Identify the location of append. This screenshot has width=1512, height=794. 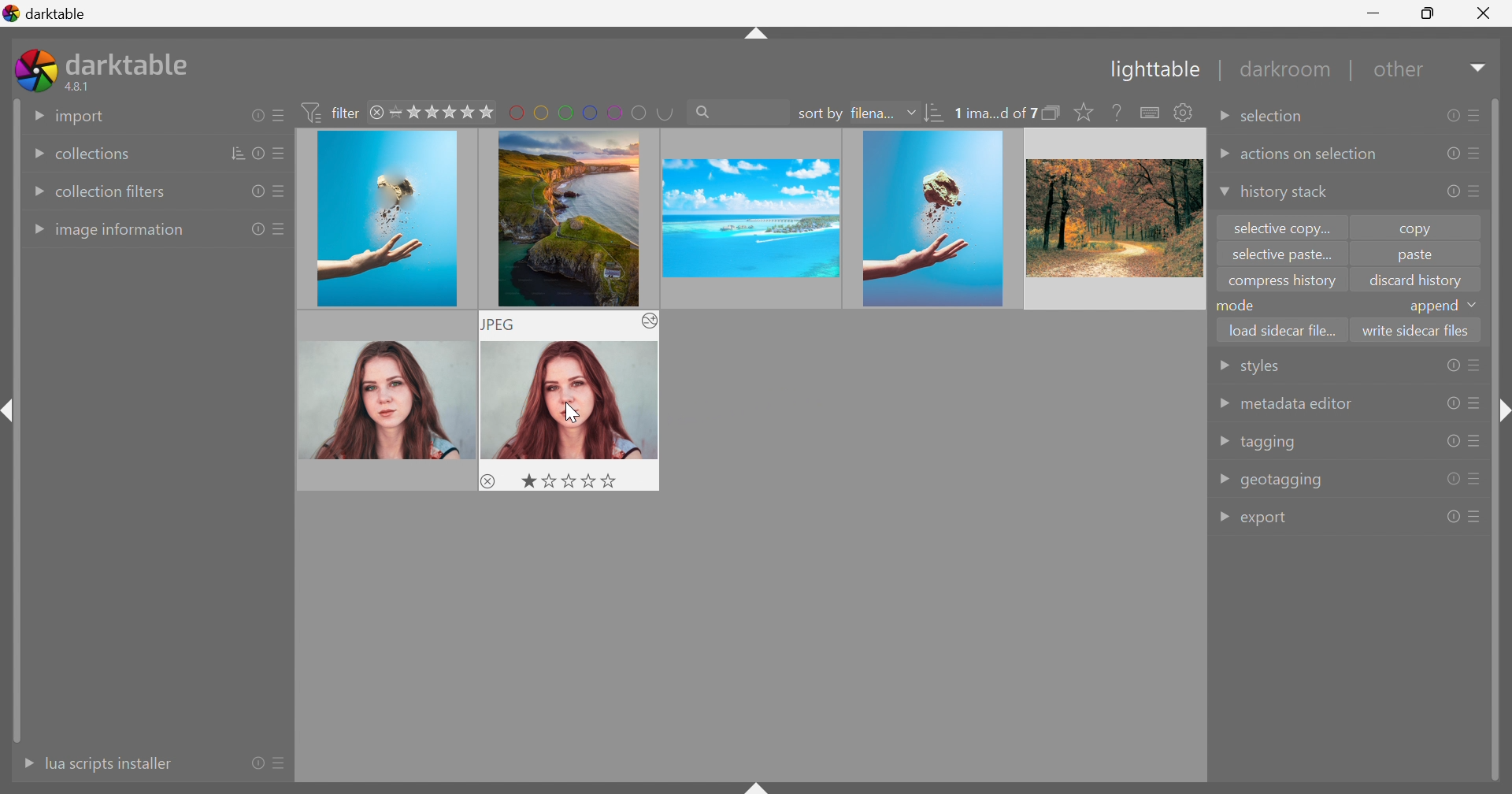
(1432, 307).